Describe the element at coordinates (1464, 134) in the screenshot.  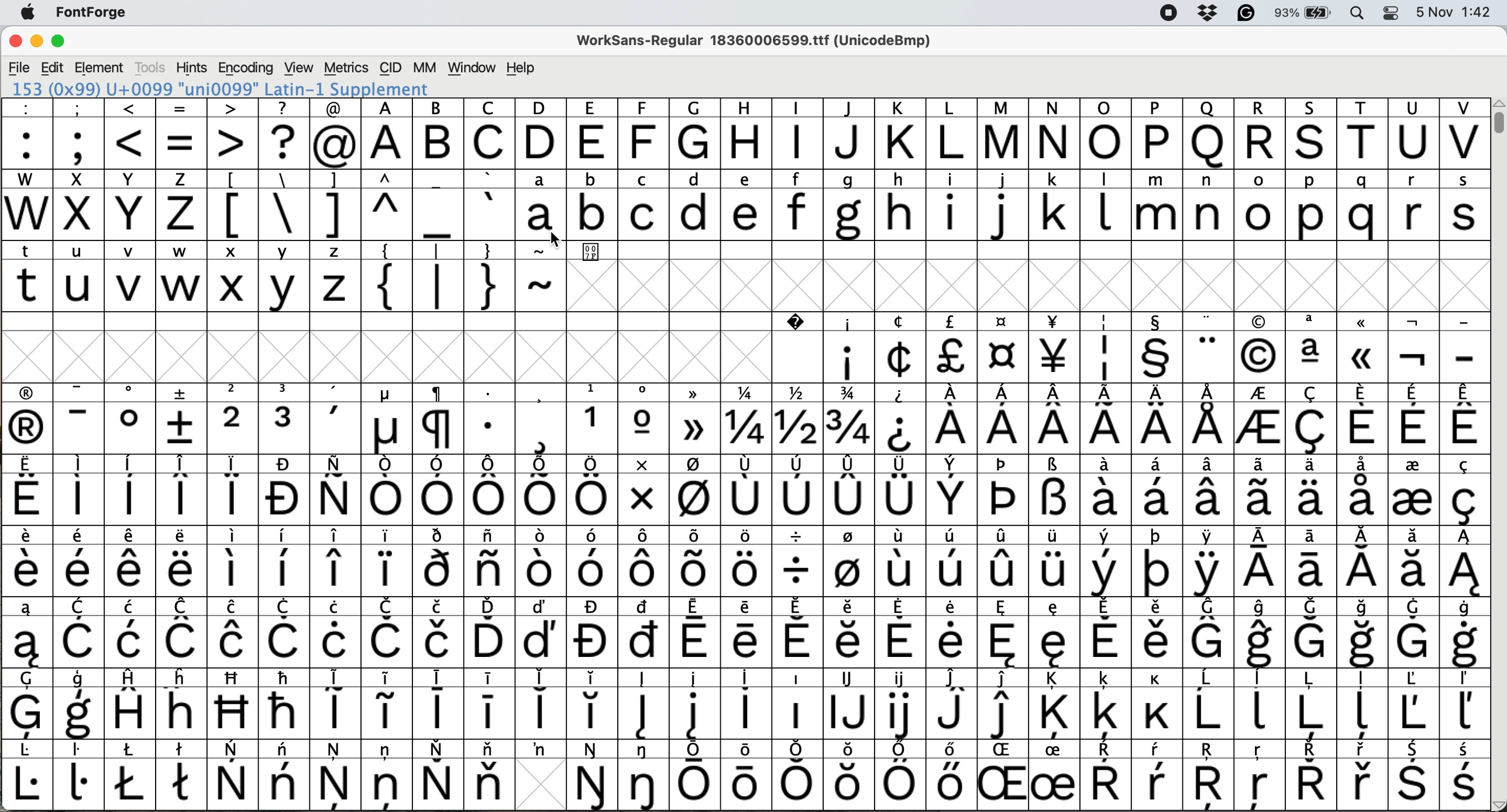
I see `V` at that location.